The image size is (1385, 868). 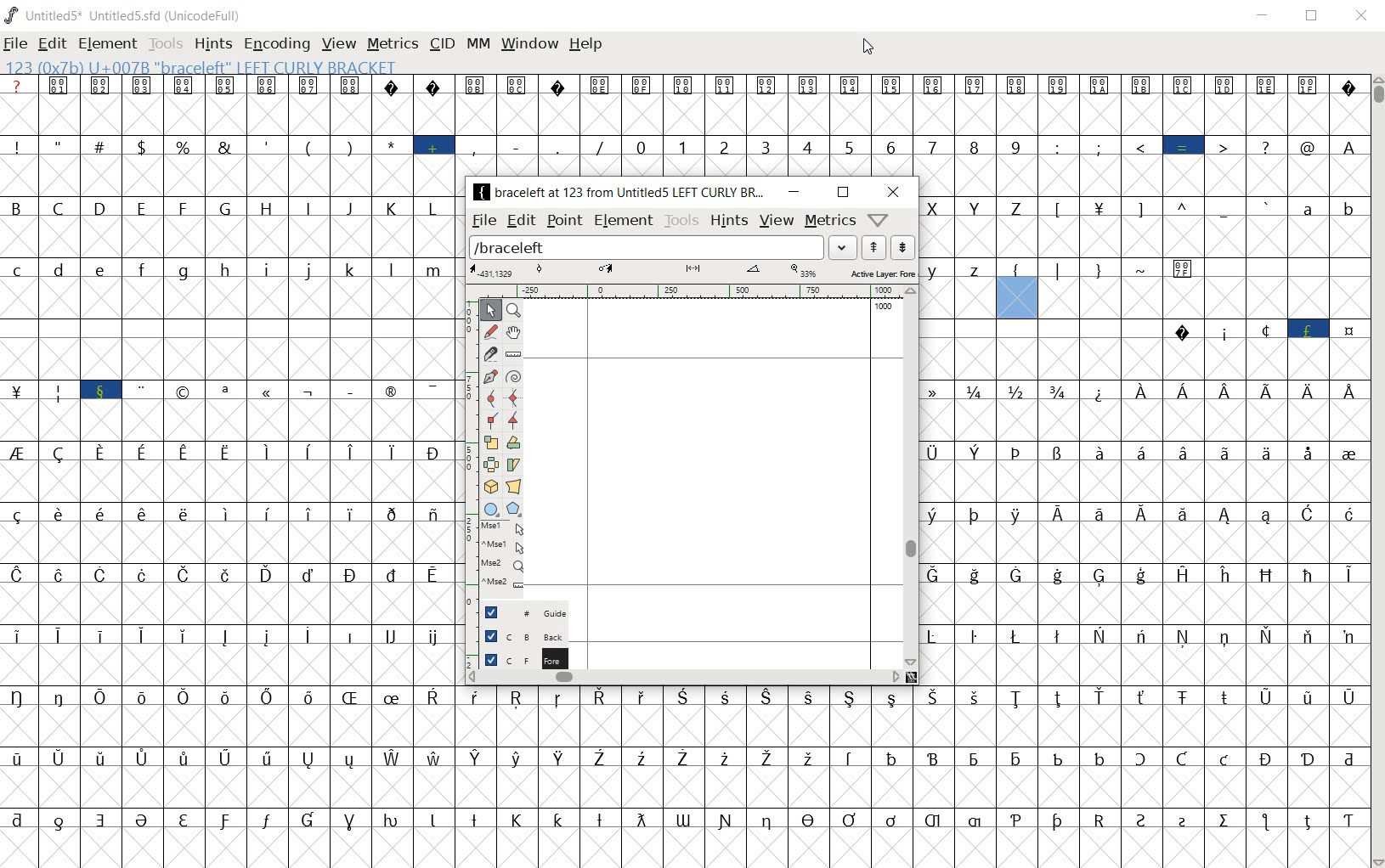 What do you see at coordinates (490, 310) in the screenshot?
I see `POINTER` at bounding box center [490, 310].